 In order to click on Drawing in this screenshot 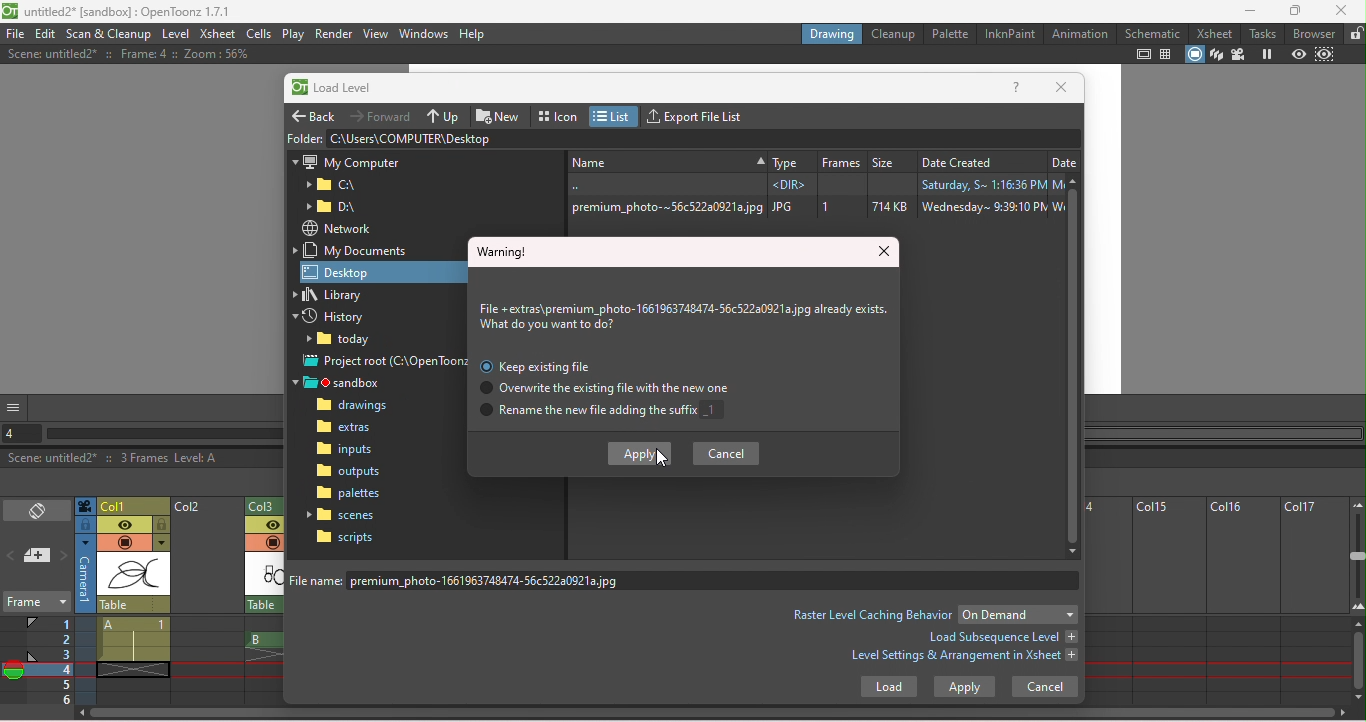, I will do `click(832, 33)`.